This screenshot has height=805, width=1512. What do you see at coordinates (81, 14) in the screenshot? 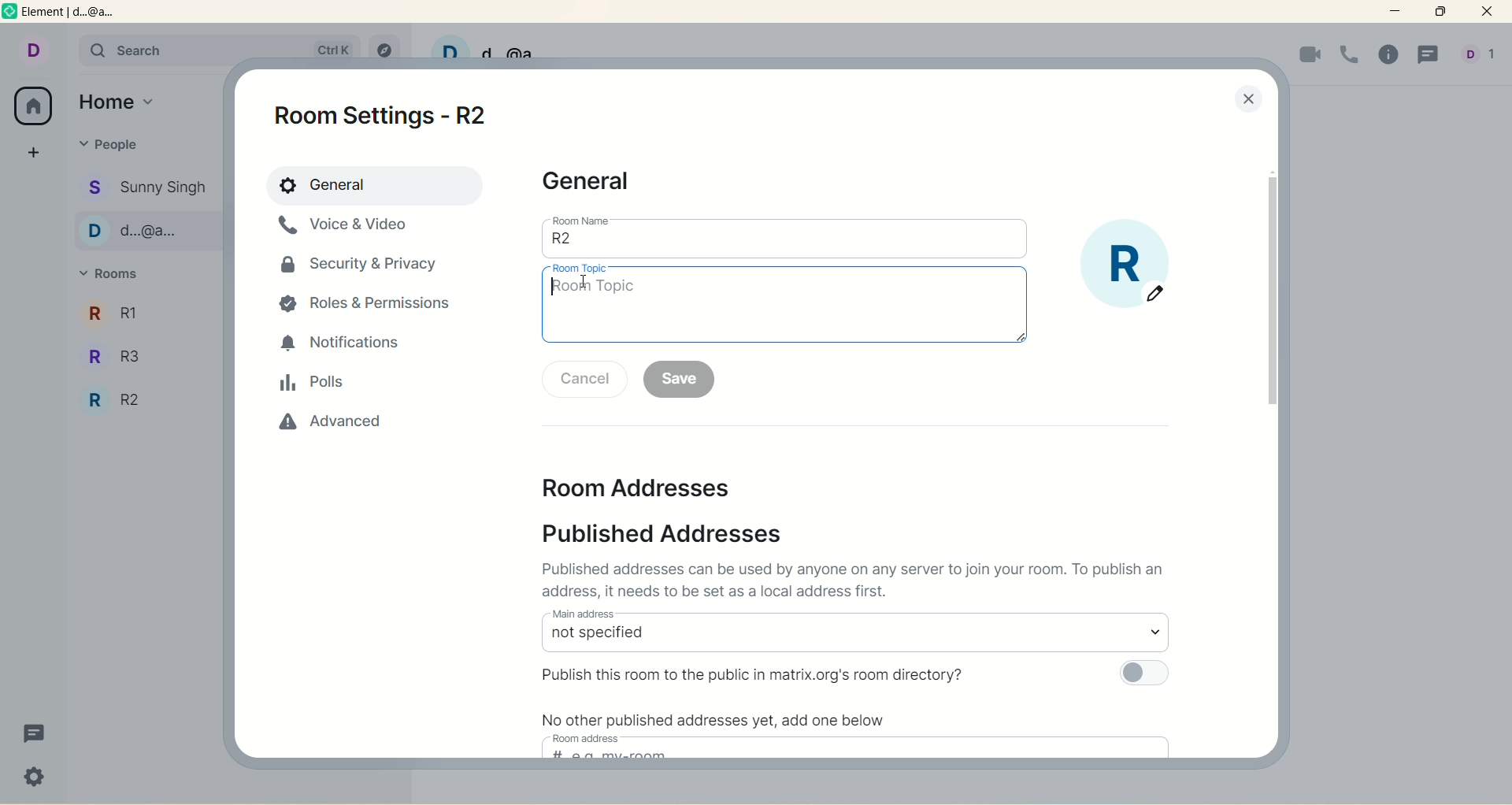
I see `element` at bounding box center [81, 14].